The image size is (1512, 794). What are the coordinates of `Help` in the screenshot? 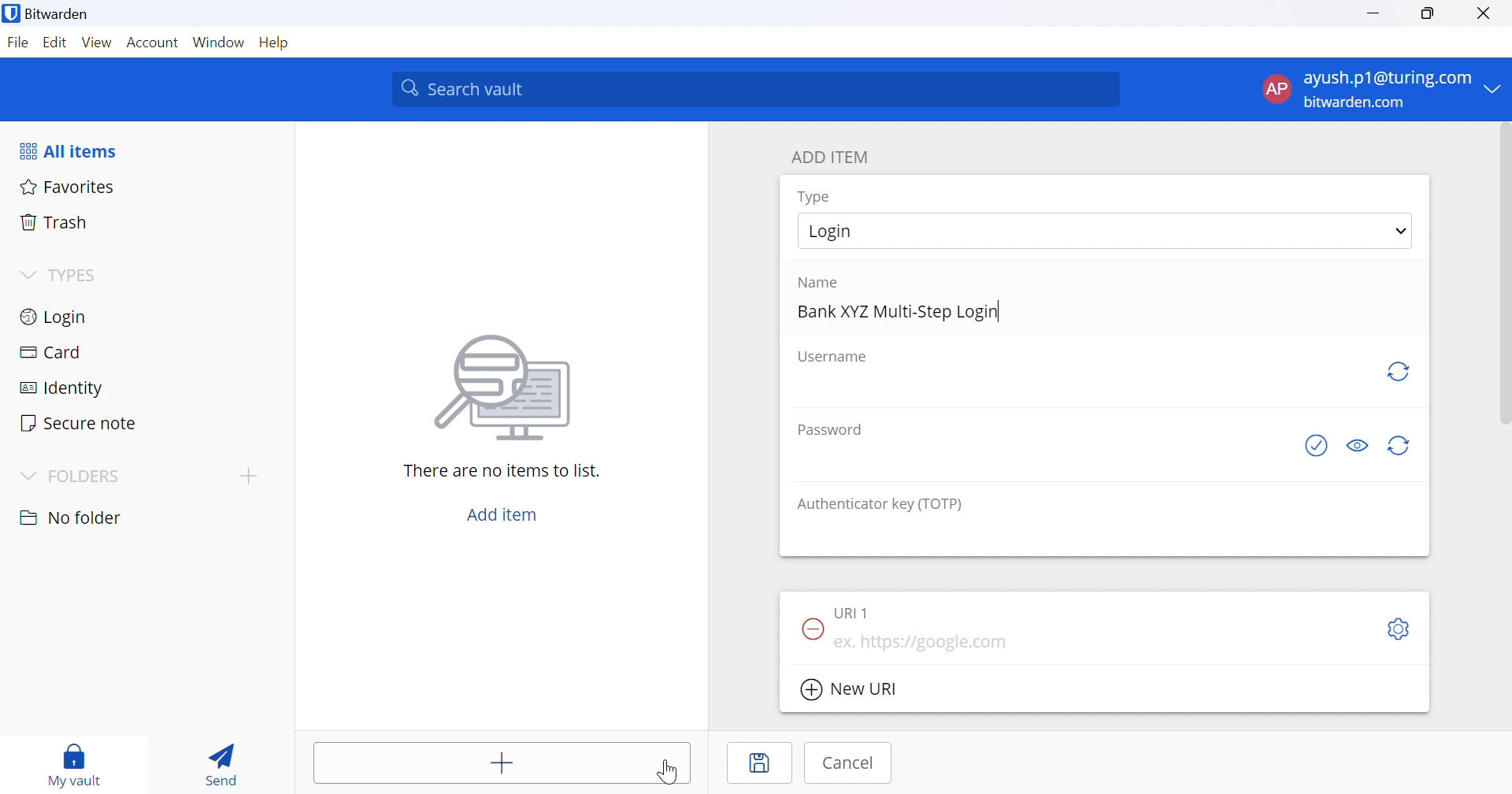 It's located at (275, 44).